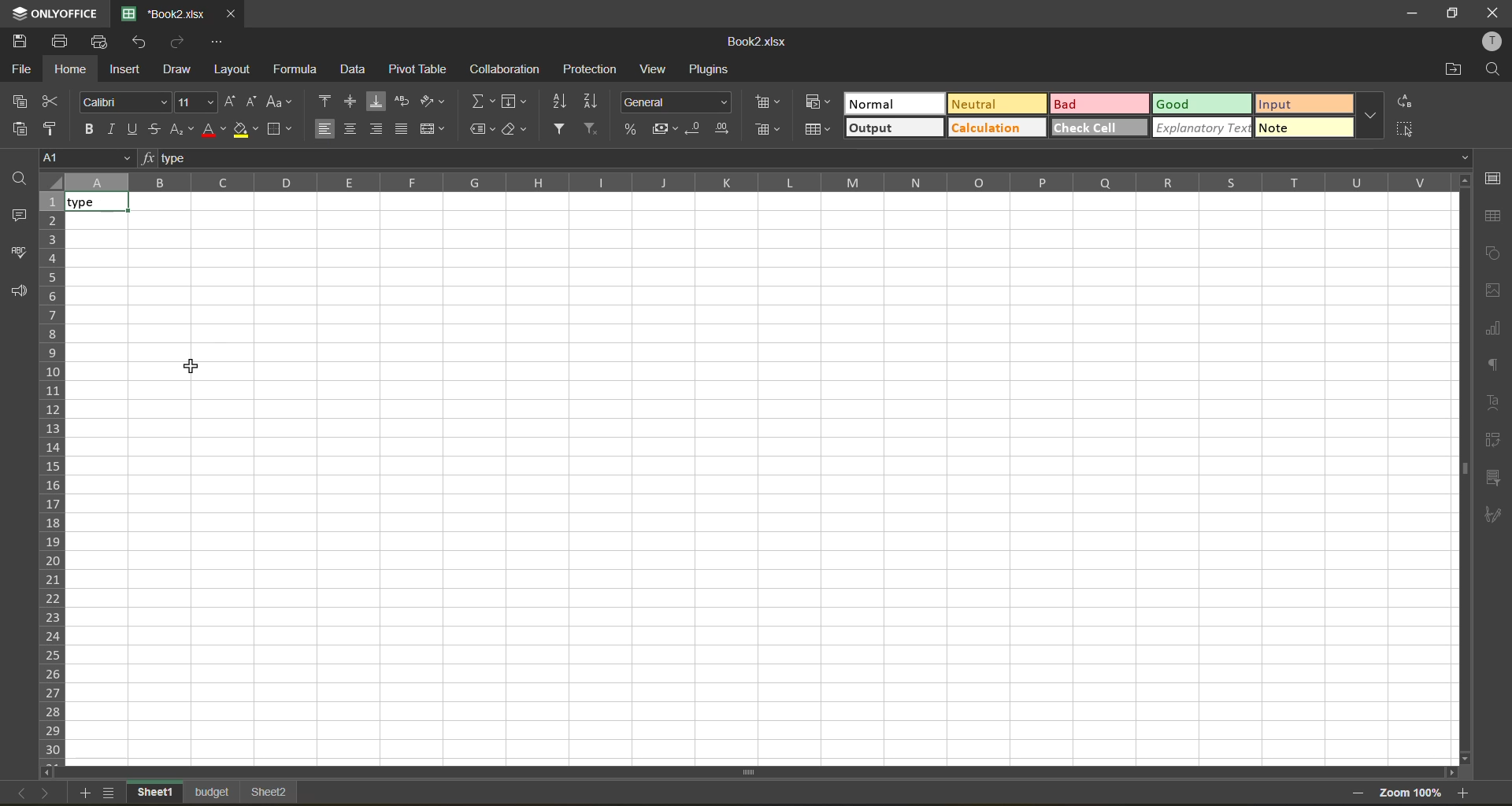 Image resolution: width=1512 pixels, height=806 pixels. Describe the element at coordinates (126, 67) in the screenshot. I see `insert` at that location.